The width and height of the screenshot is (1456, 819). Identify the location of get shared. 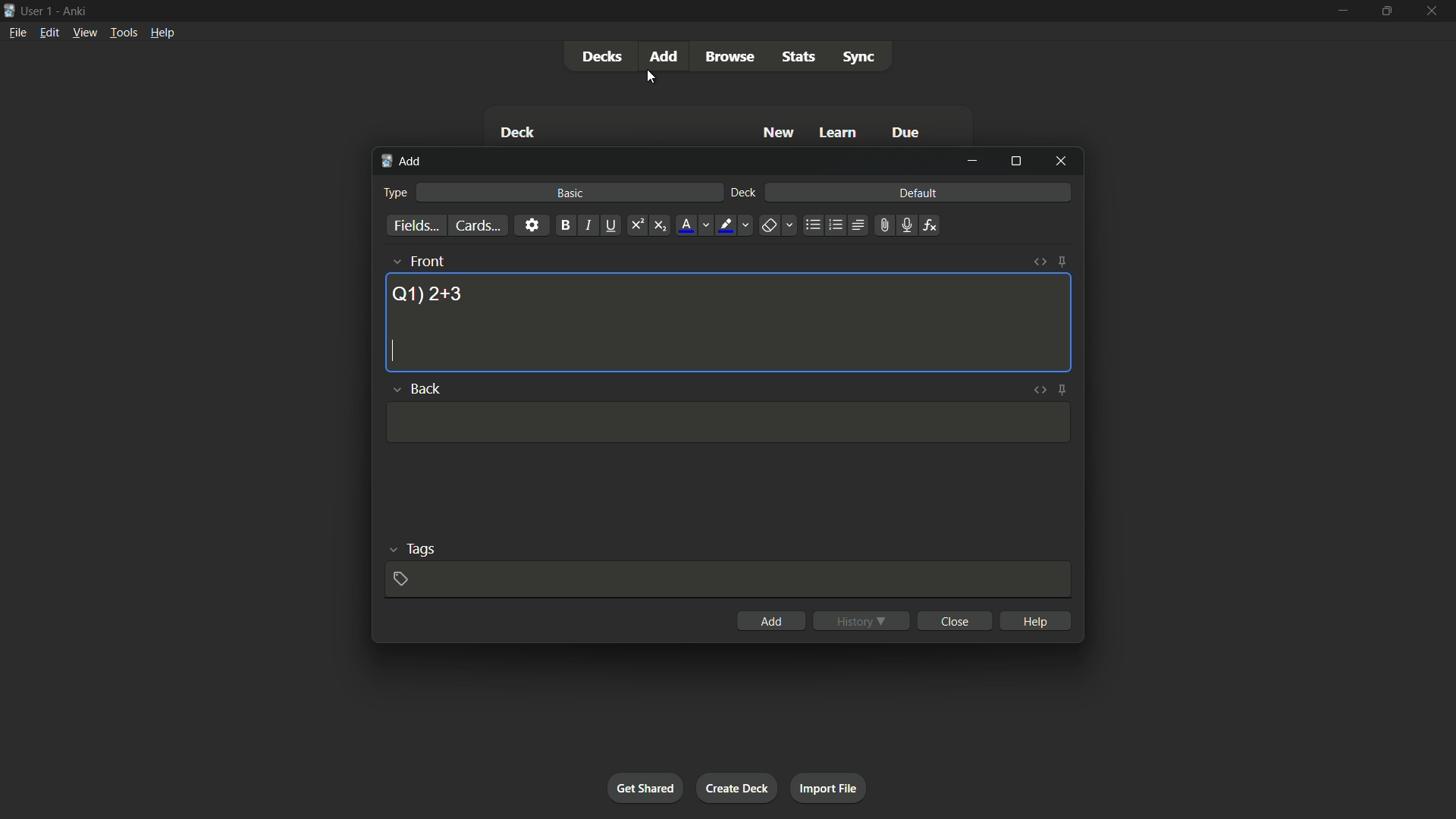
(645, 787).